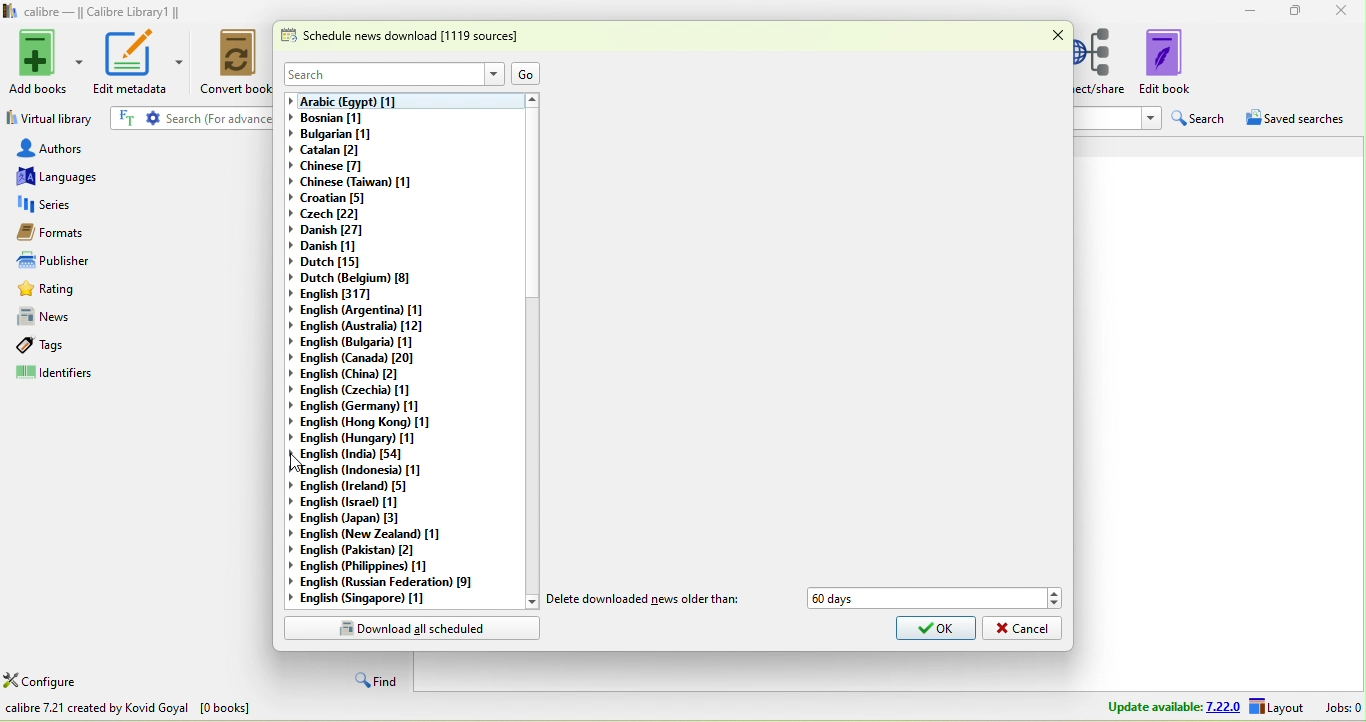 Image resolution: width=1366 pixels, height=722 pixels. I want to click on saved searches, so click(1296, 118).